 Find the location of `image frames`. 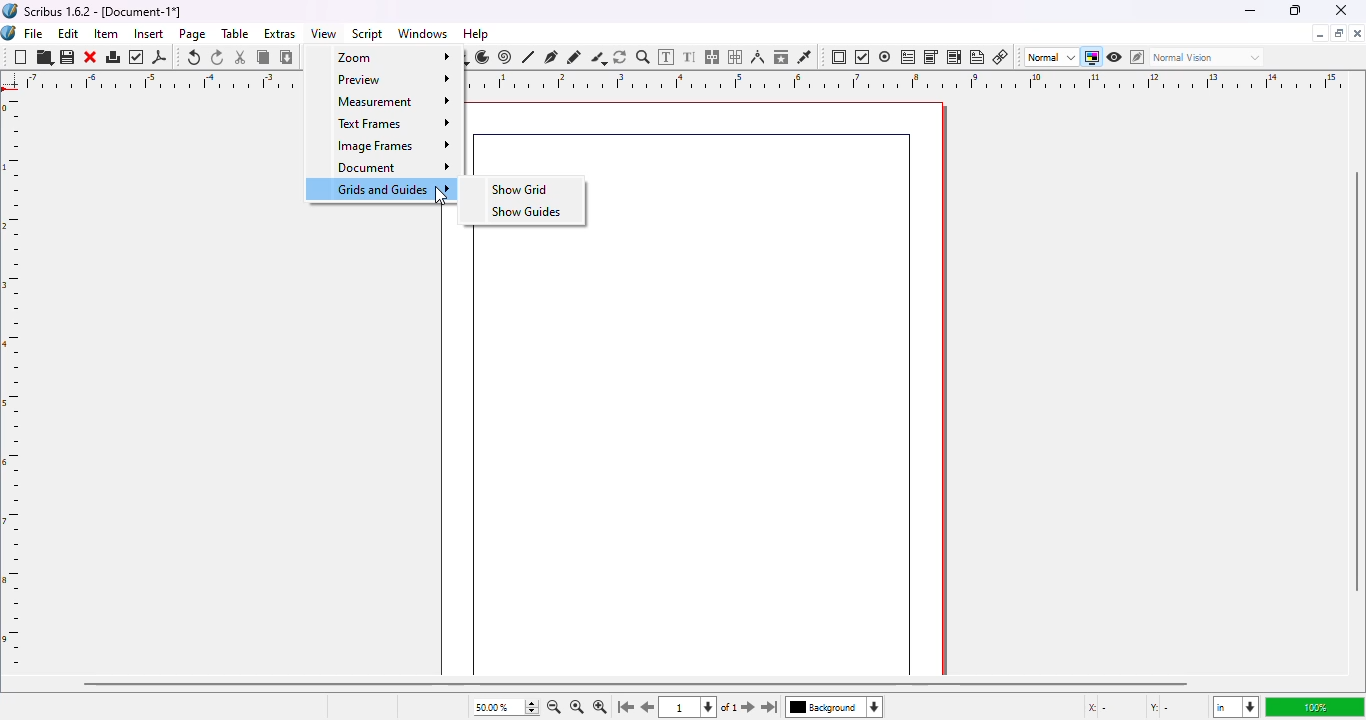

image frames is located at coordinates (384, 146).